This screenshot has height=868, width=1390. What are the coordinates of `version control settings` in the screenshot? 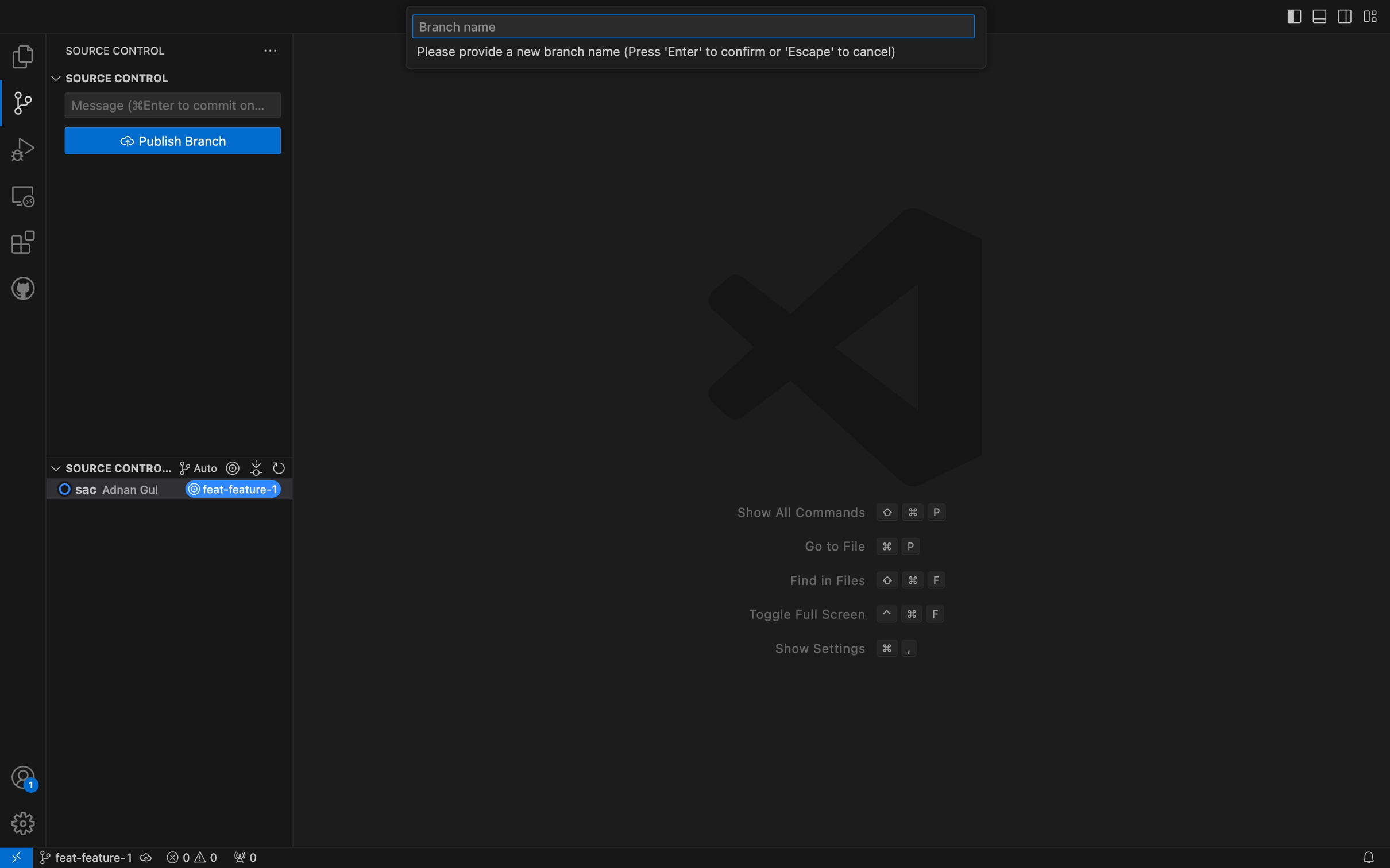 It's located at (272, 51).